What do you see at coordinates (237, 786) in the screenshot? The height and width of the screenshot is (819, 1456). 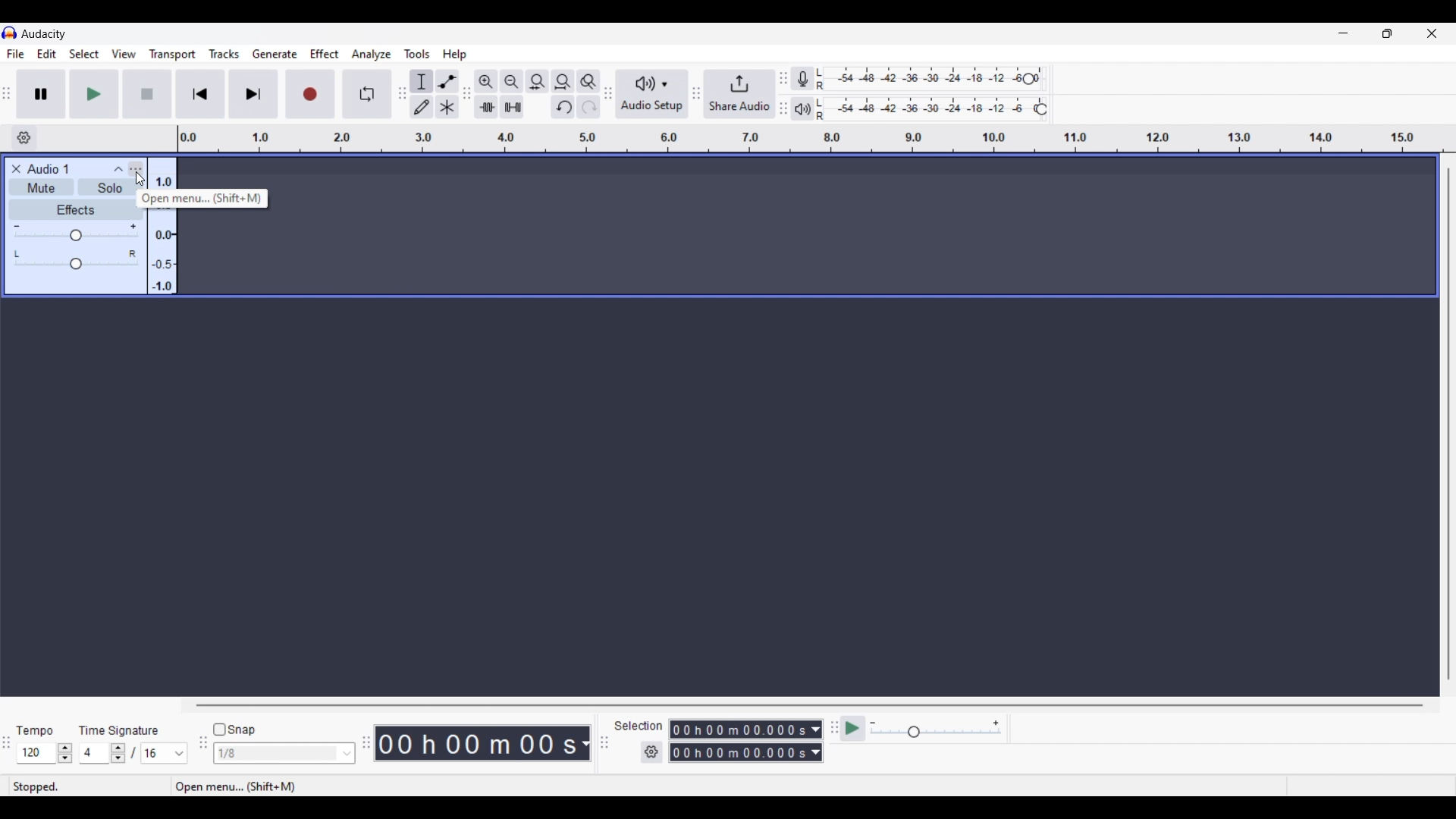 I see `Open menu... (Shift+M)` at bounding box center [237, 786].